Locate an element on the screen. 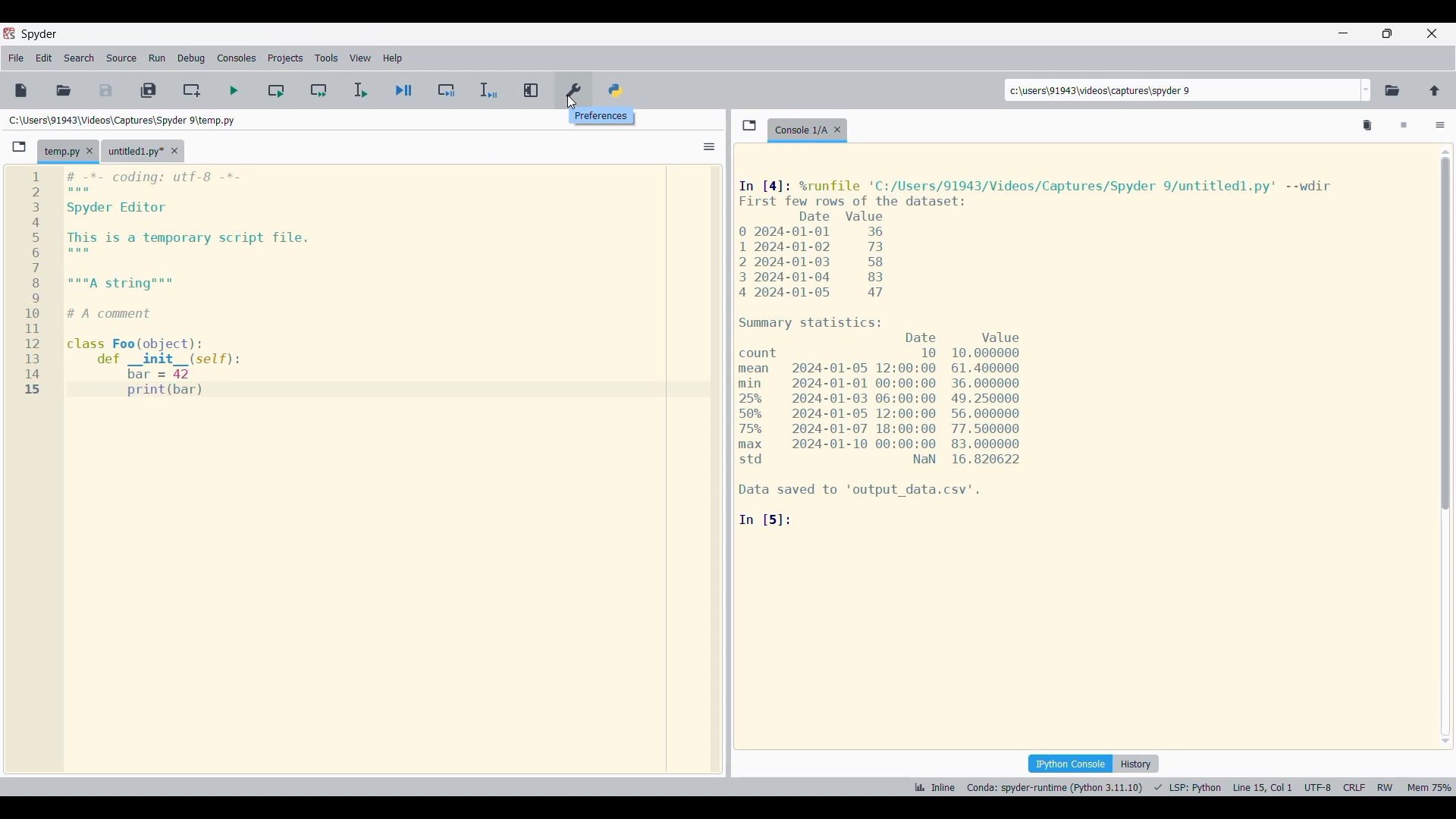 The width and height of the screenshot is (1456, 819). Show in a smaller tab is located at coordinates (1388, 33).